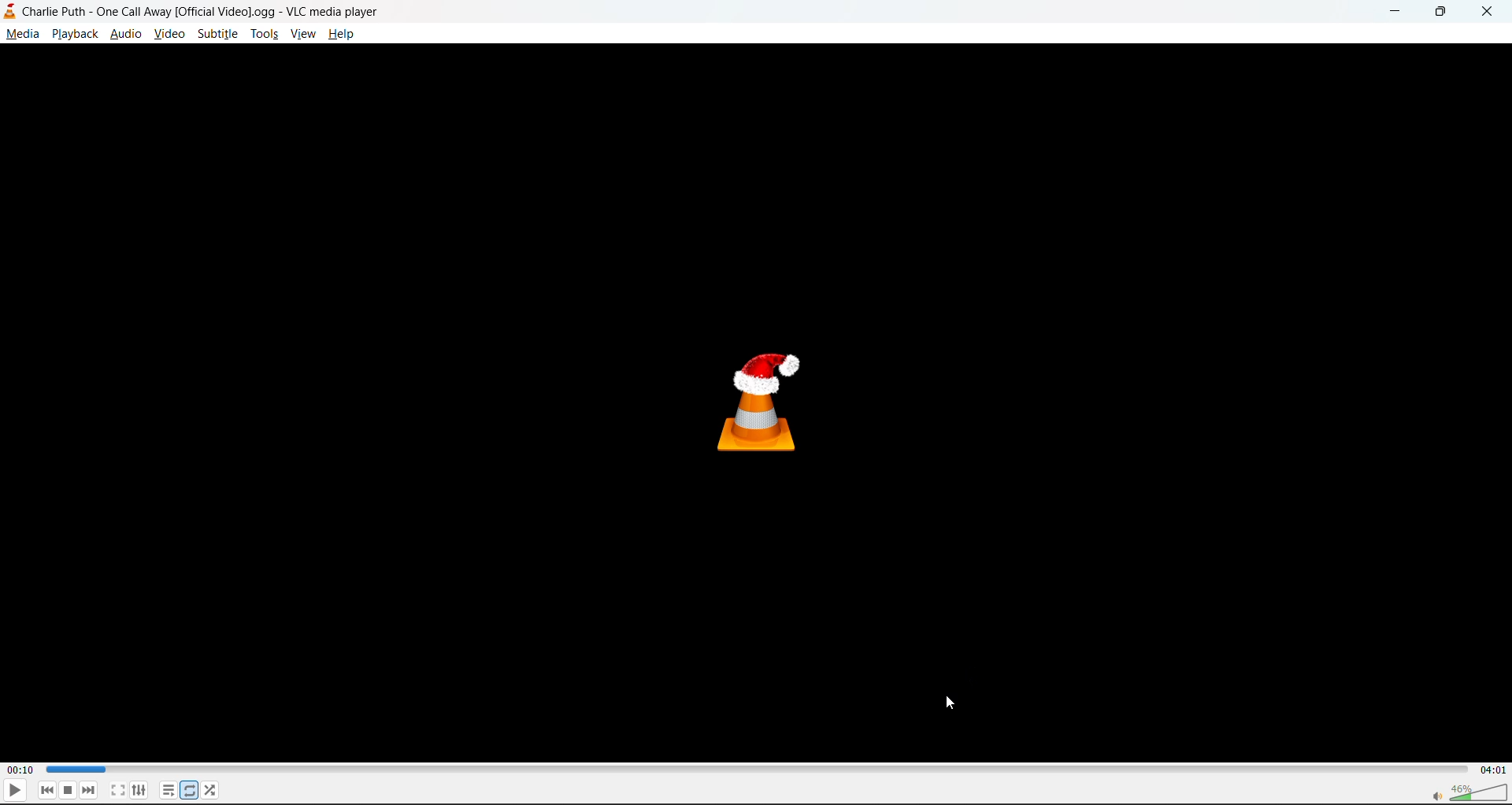 The image size is (1512, 805). What do you see at coordinates (951, 703) in the screenshot?
I see `cursor` at bounding box center [951, 703].